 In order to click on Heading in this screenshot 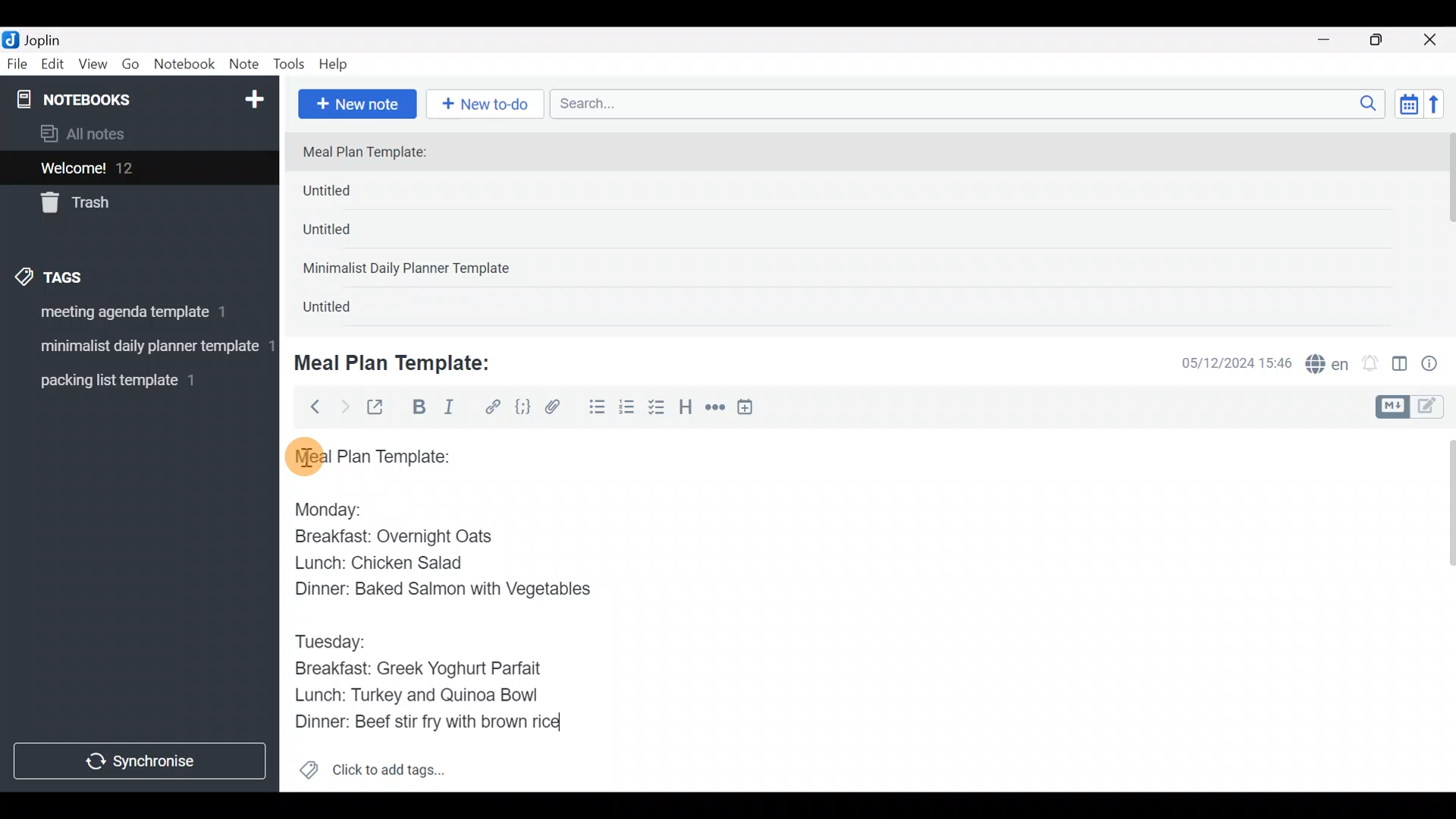, I will do `click(686, 409)`.